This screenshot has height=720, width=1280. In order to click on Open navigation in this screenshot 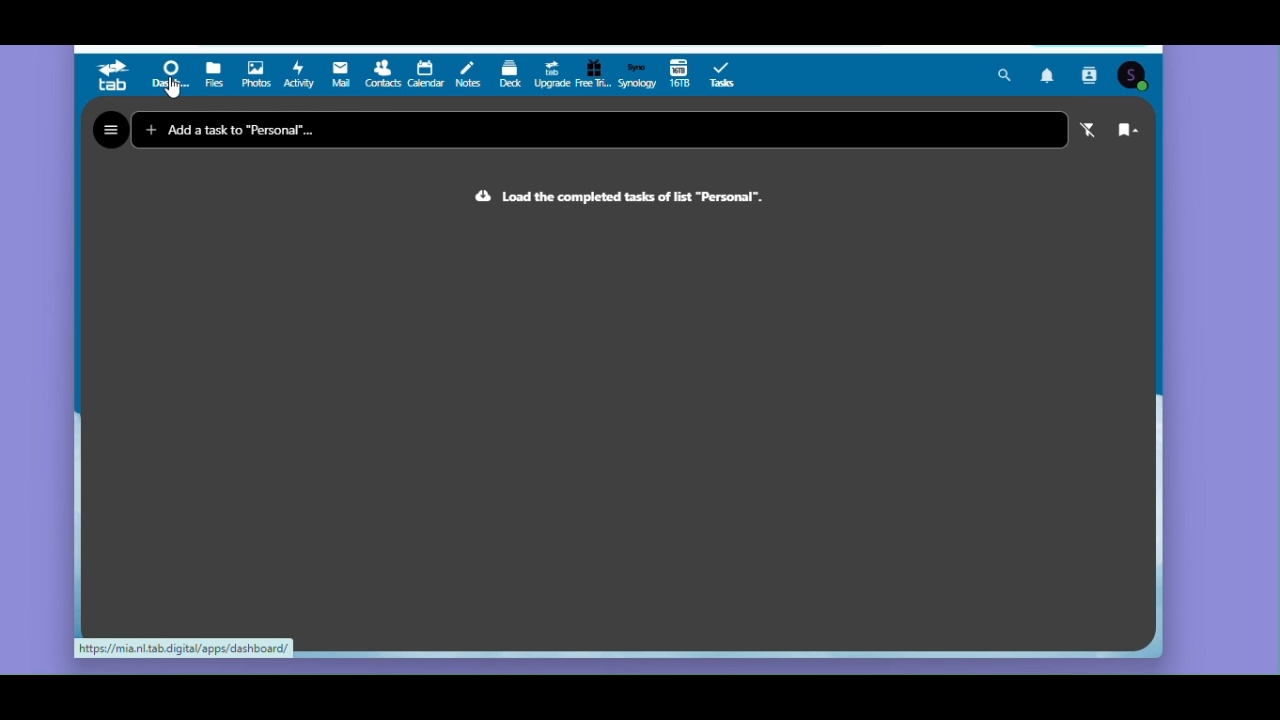, I will do `click(110, 131)`.